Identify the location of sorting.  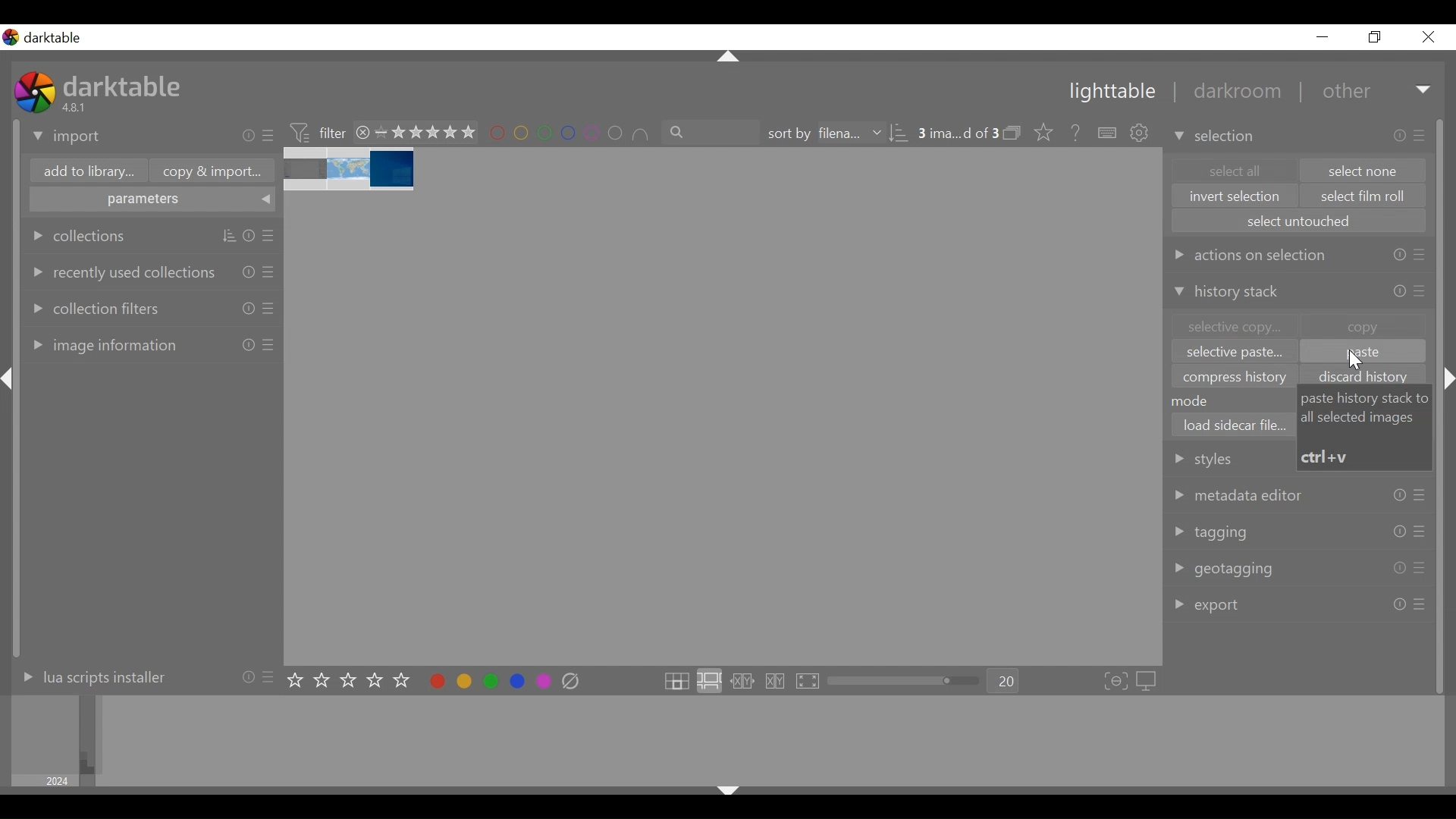
(229, 237).